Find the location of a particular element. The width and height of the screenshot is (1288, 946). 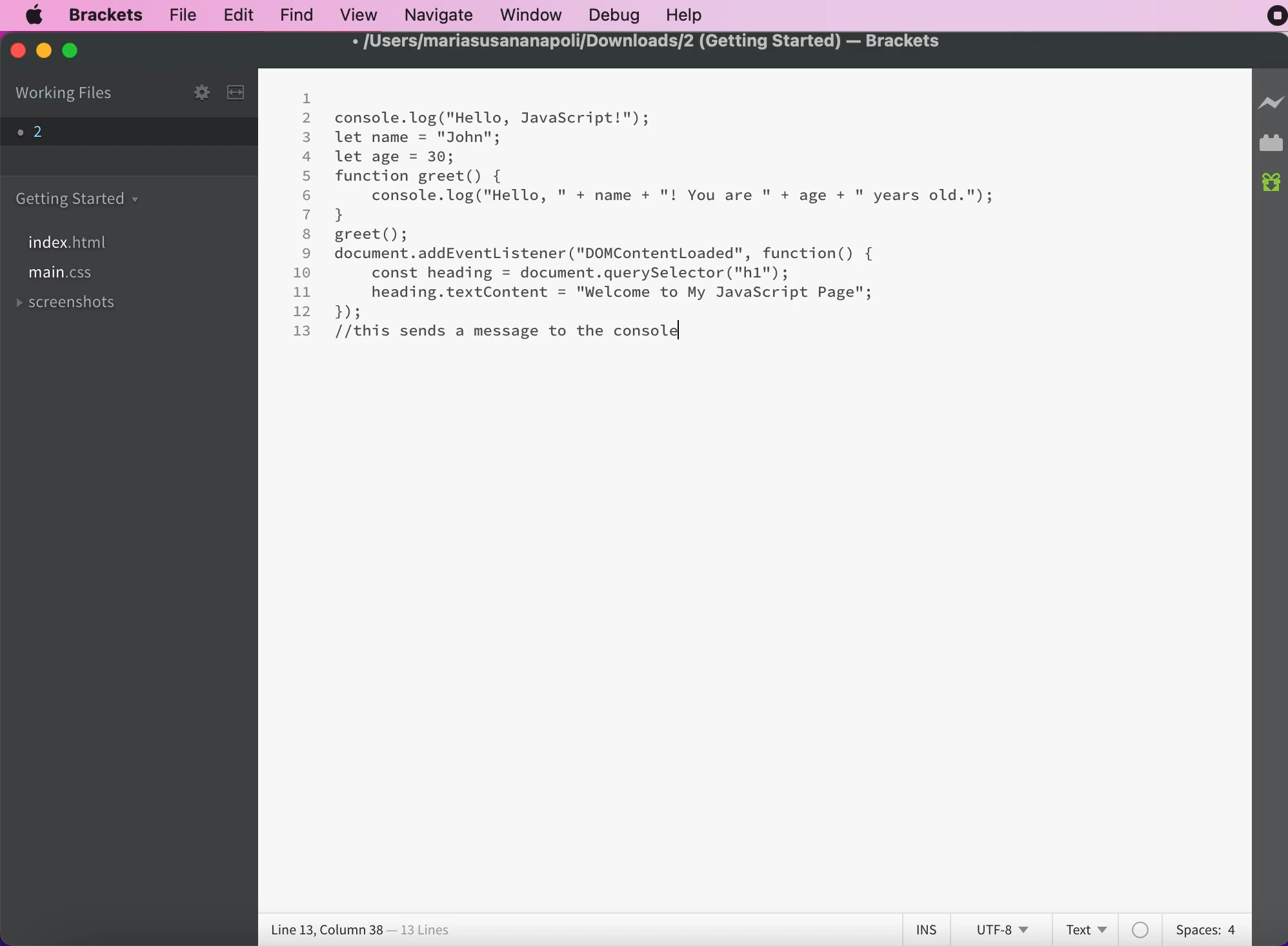

view is located at coordinates (357, 15).